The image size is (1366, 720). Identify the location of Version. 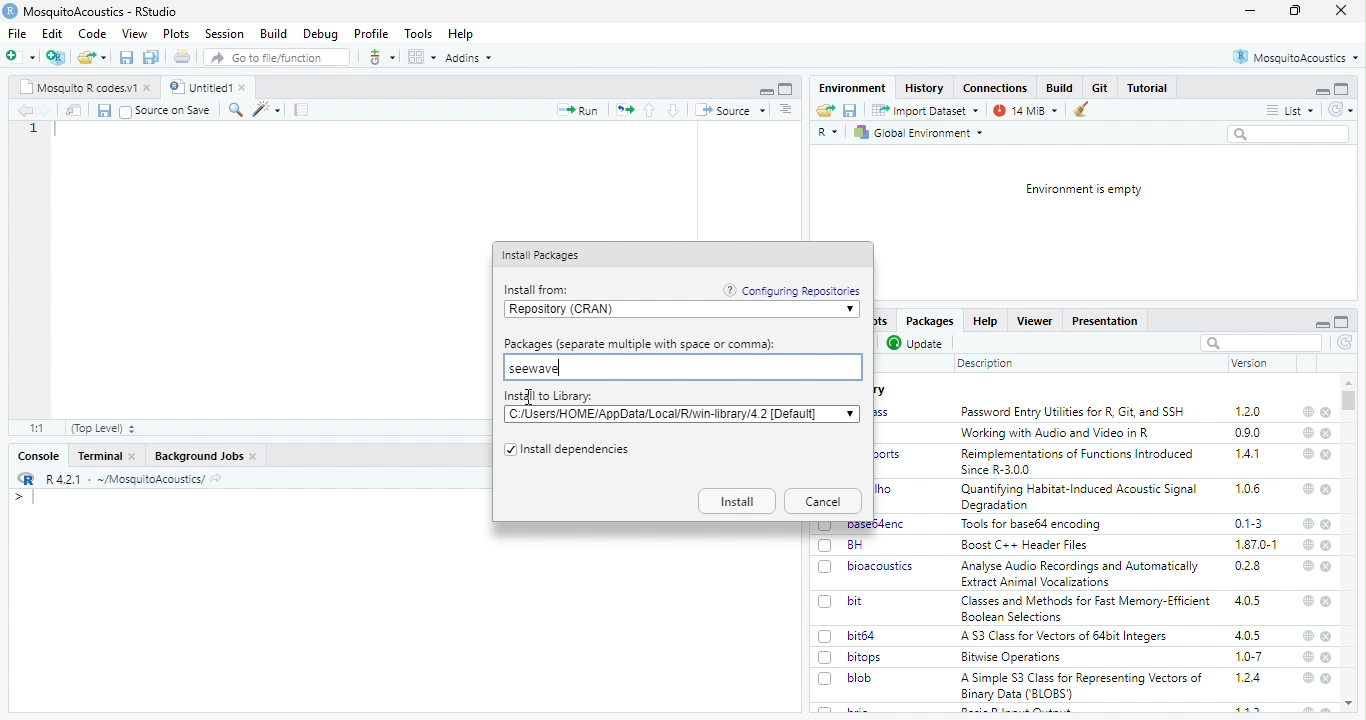
(1251, 363).